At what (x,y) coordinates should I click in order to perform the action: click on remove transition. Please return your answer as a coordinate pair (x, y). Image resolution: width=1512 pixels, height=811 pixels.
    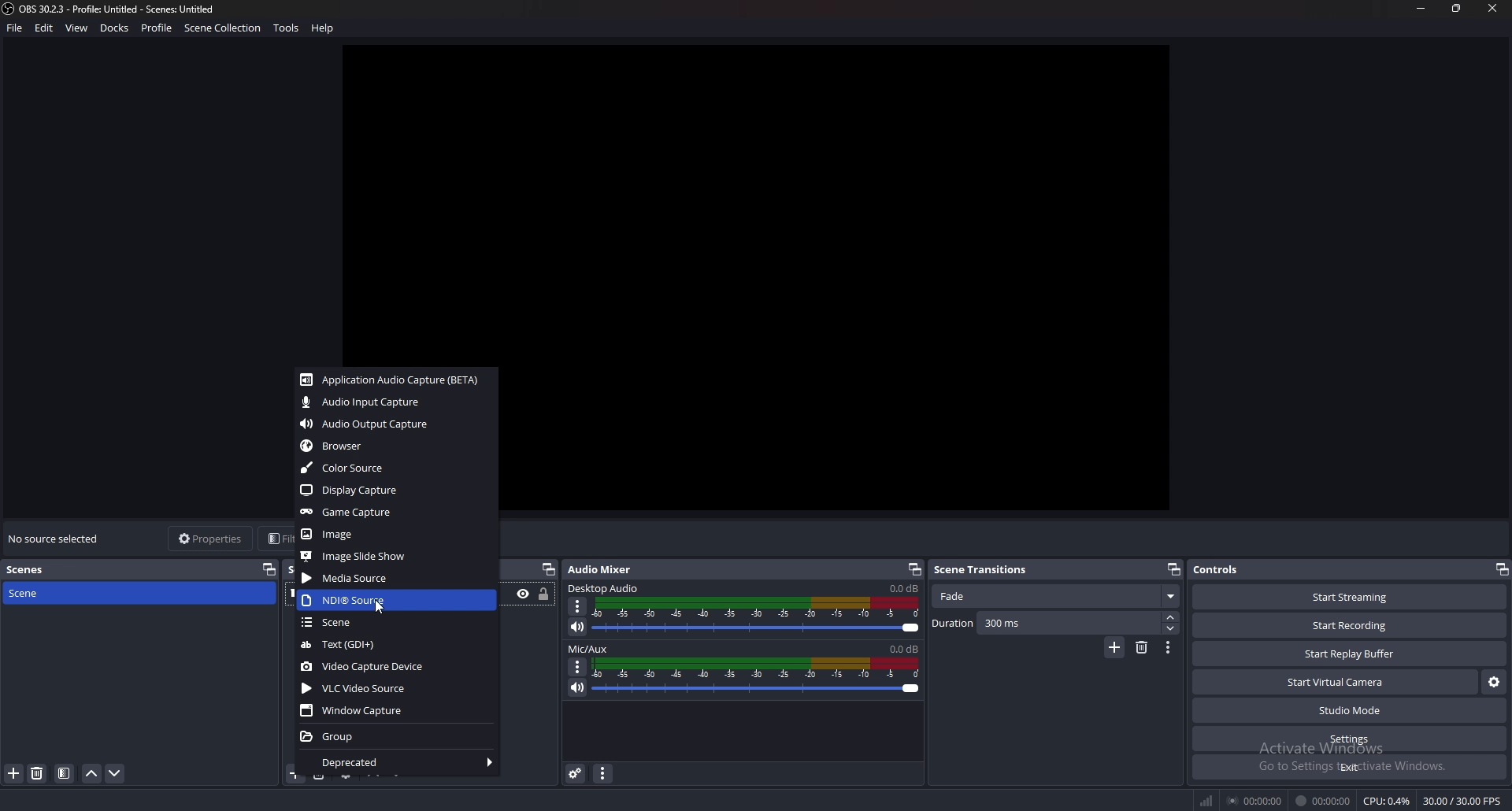
    Looking at the image, I should click on (1141, 649).